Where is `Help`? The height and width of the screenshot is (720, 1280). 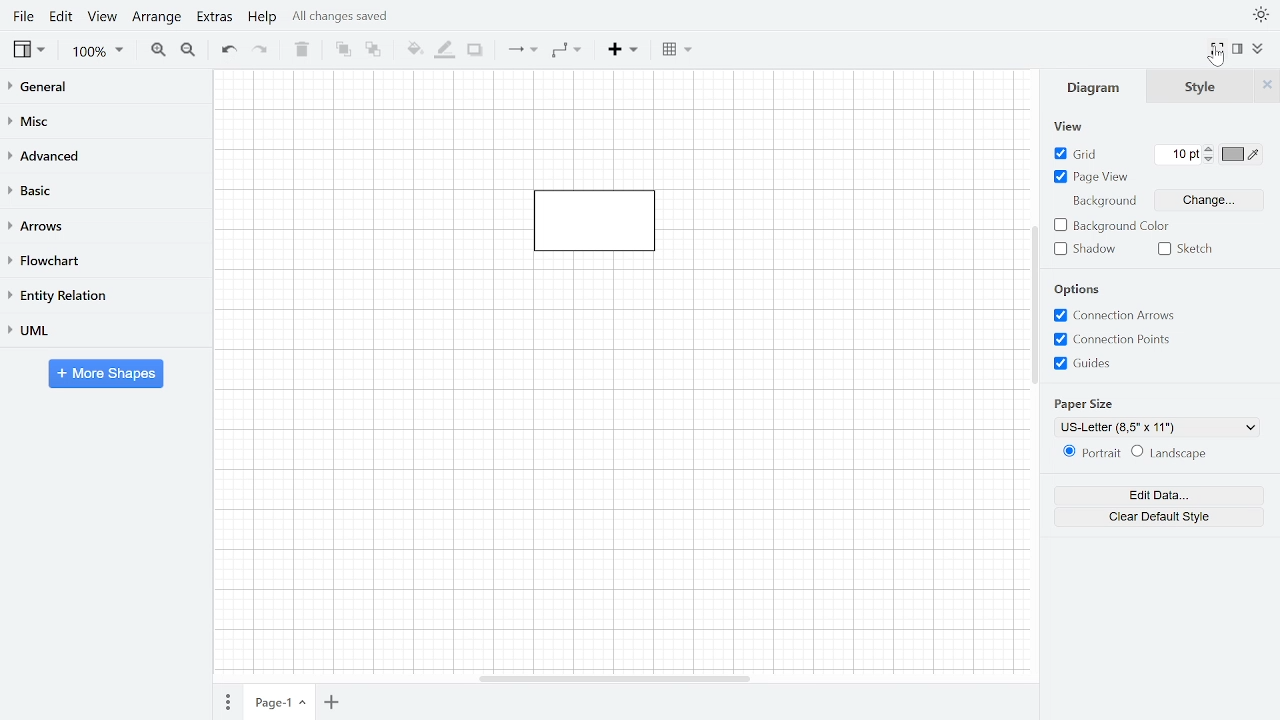
Help is located at coordinates (262, 19).